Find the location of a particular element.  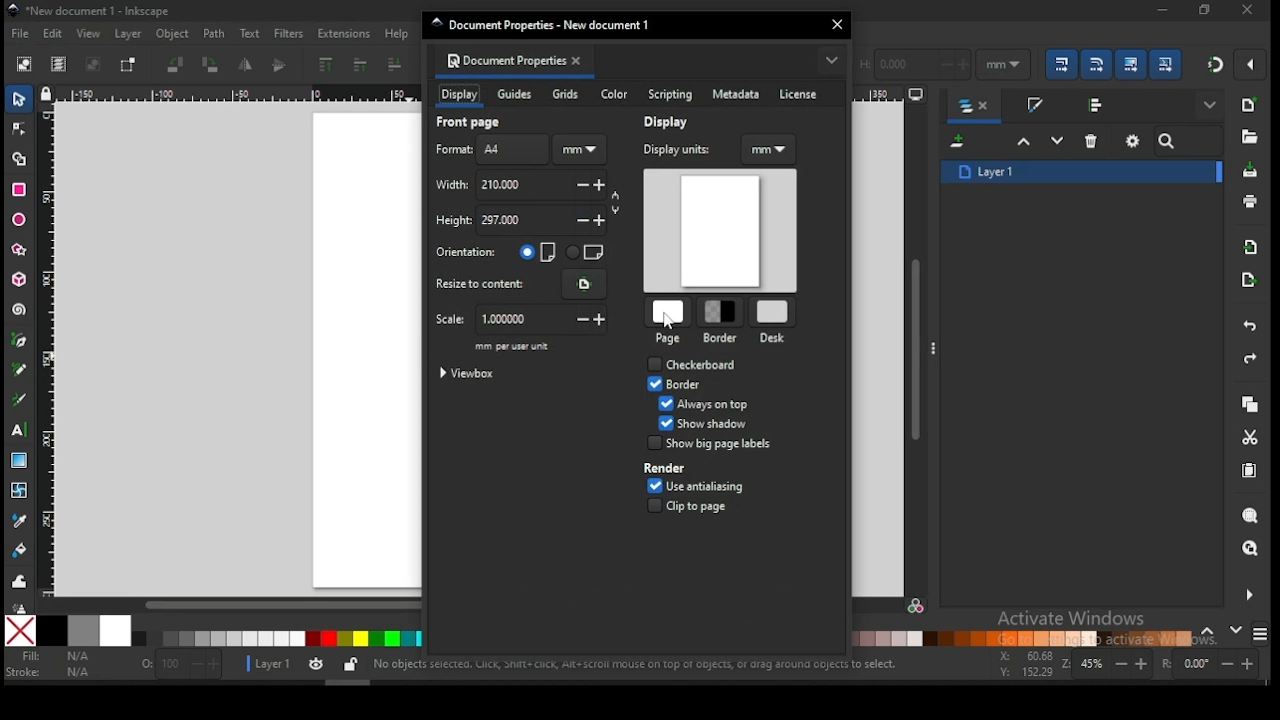

page is located at coordinates (667, 313).